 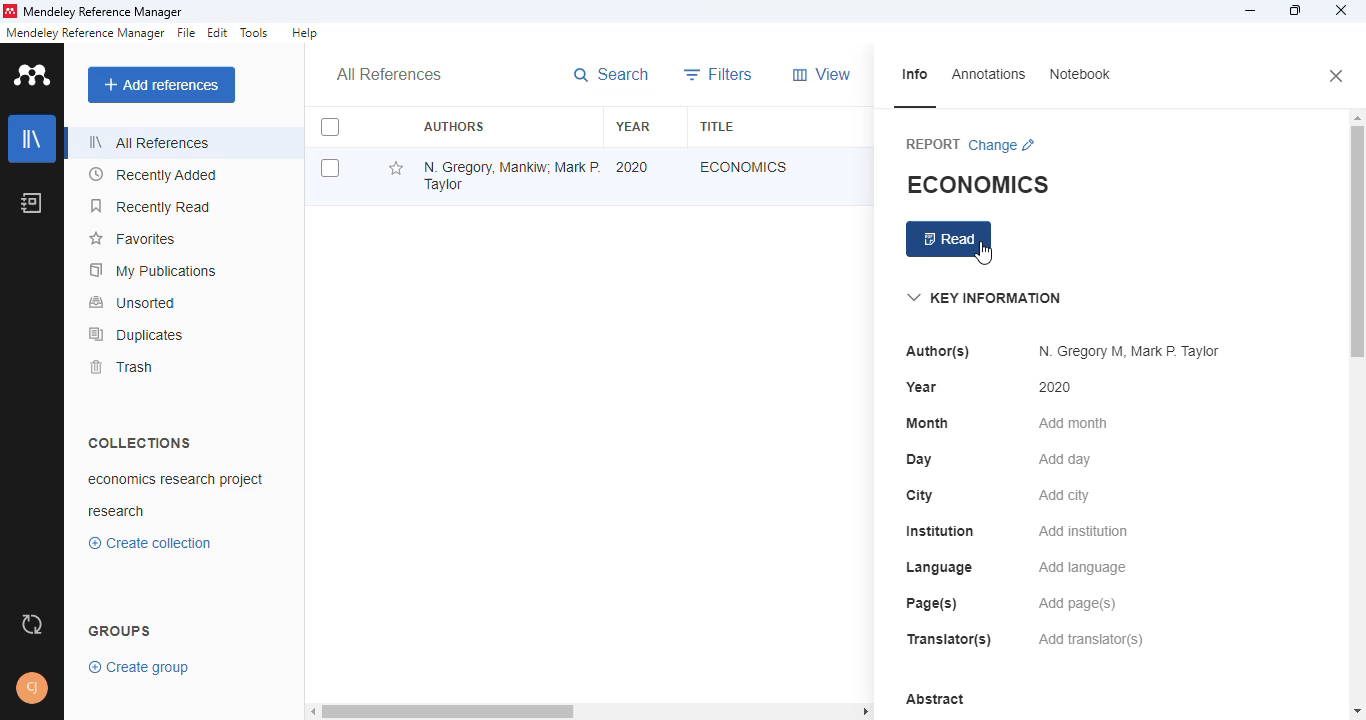 What do you see at coordinates (153, 173) in the screenshot?
I see `recently added` at bounding box center [153, 173].